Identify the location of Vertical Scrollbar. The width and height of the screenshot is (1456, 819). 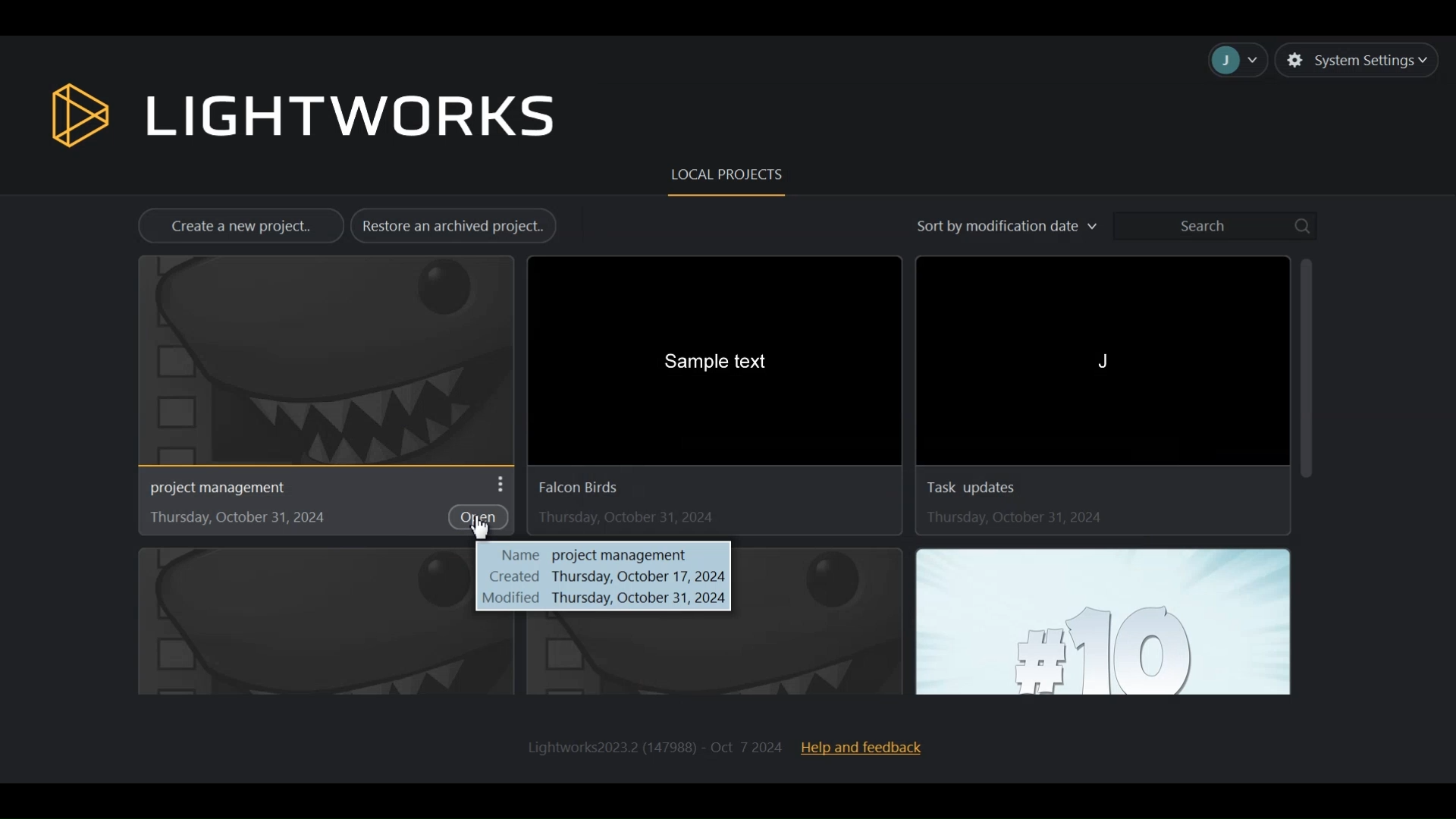
(1307, 368).